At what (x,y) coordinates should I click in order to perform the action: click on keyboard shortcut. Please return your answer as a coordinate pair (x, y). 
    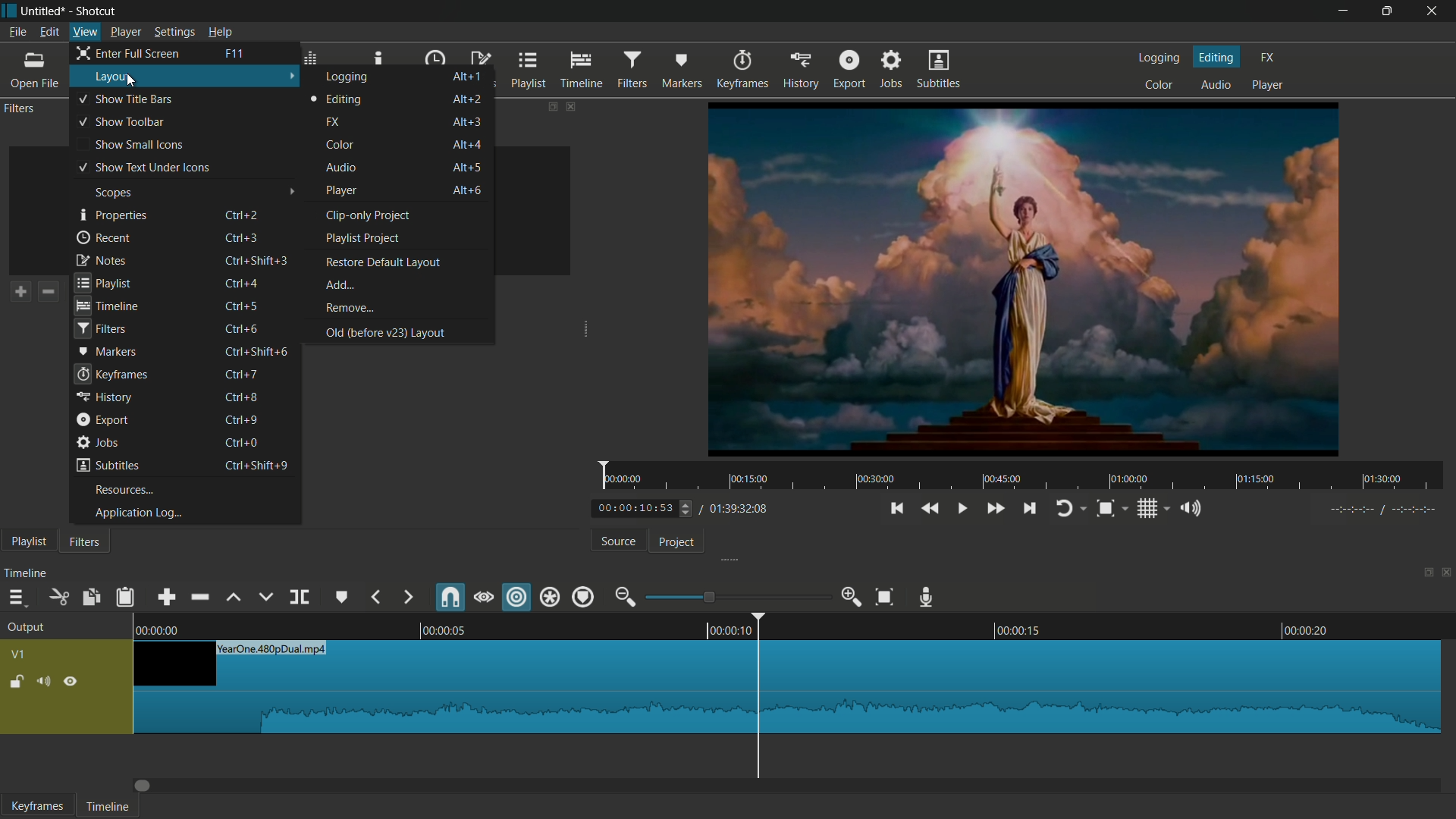
    Looking at the image, I should click on (241, 396).